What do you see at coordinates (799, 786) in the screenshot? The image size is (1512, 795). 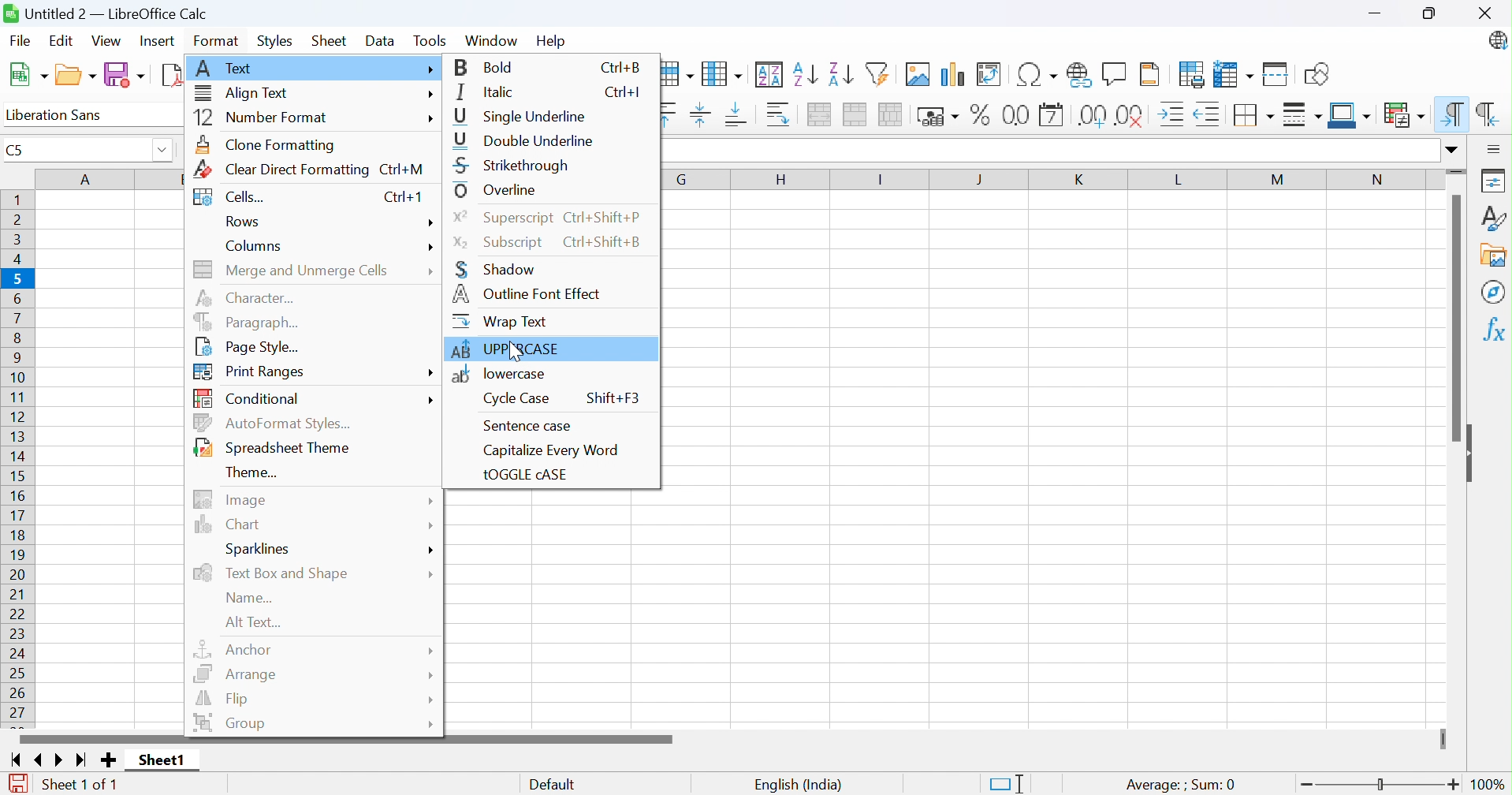 I see `English (India)` at bounding box center [799, 786].